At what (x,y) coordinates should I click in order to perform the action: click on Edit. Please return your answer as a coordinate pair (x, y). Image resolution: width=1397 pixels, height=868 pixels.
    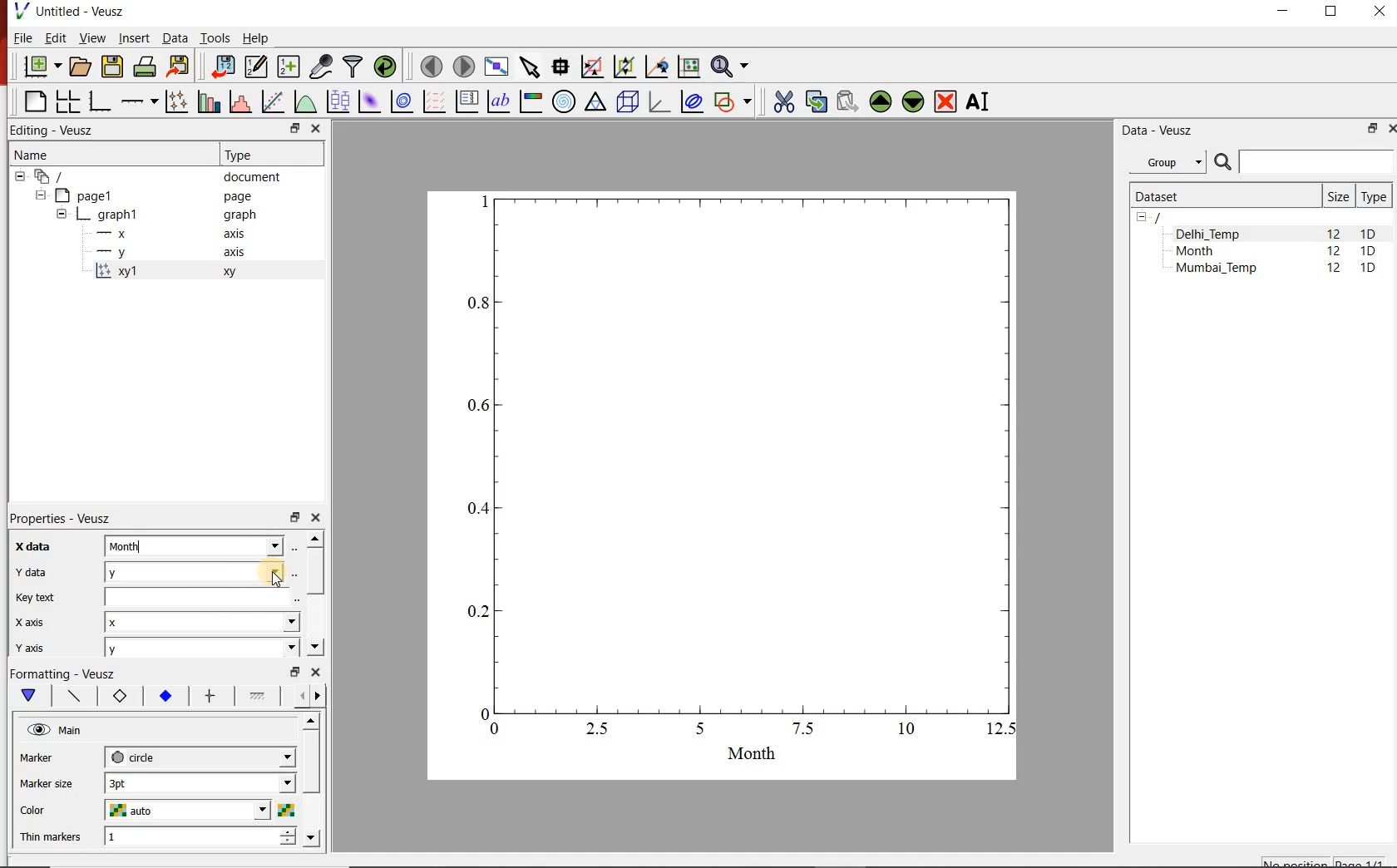
    Looking at the image, I should click on (54, 37).